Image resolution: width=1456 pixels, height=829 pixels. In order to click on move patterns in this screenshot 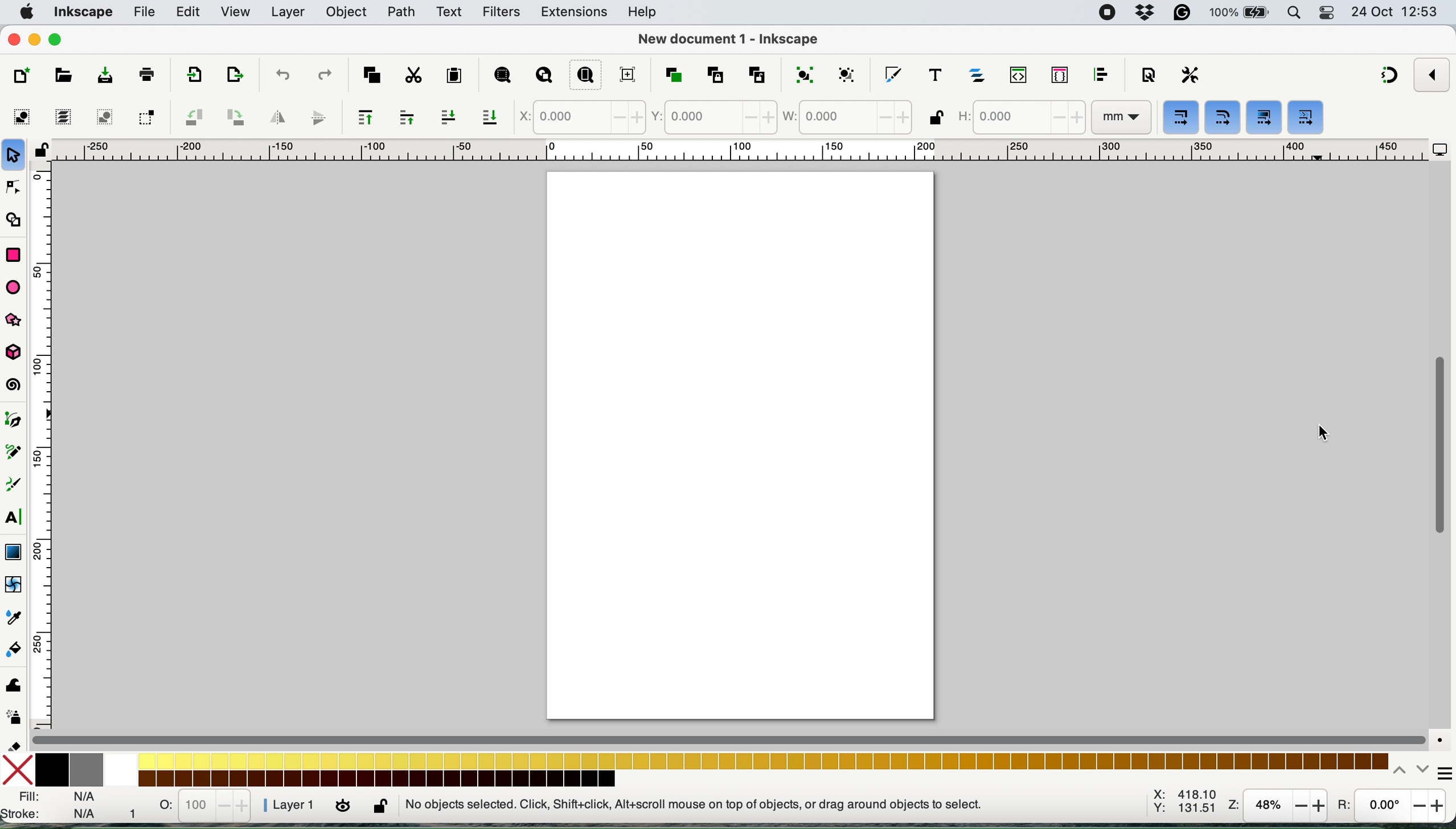, I will do `click(1264, 116)`.